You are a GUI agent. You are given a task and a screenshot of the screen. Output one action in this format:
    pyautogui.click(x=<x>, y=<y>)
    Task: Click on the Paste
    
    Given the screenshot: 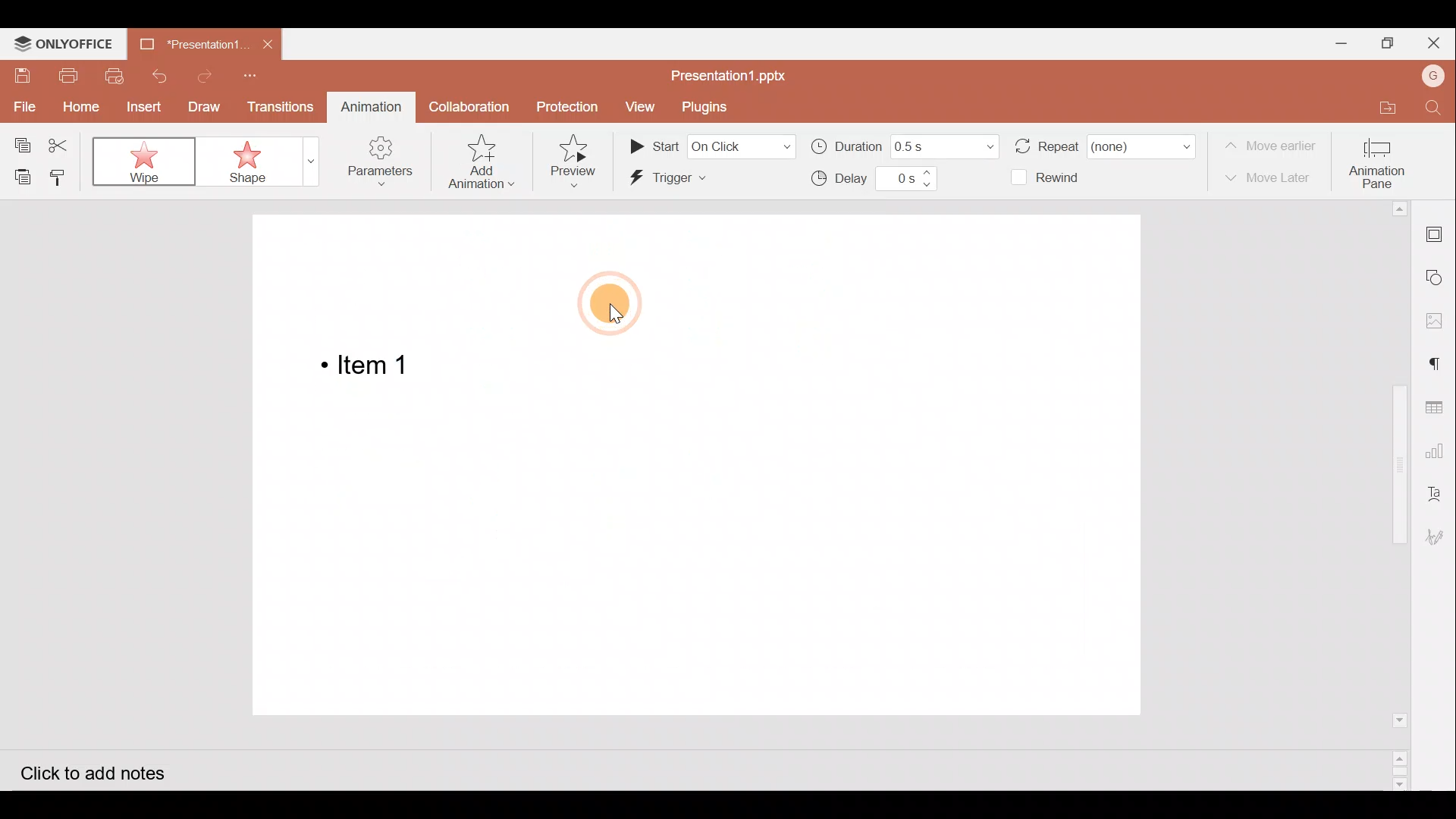 What is the action you would take?
    pyautogui.click(x=22, y=175)
    